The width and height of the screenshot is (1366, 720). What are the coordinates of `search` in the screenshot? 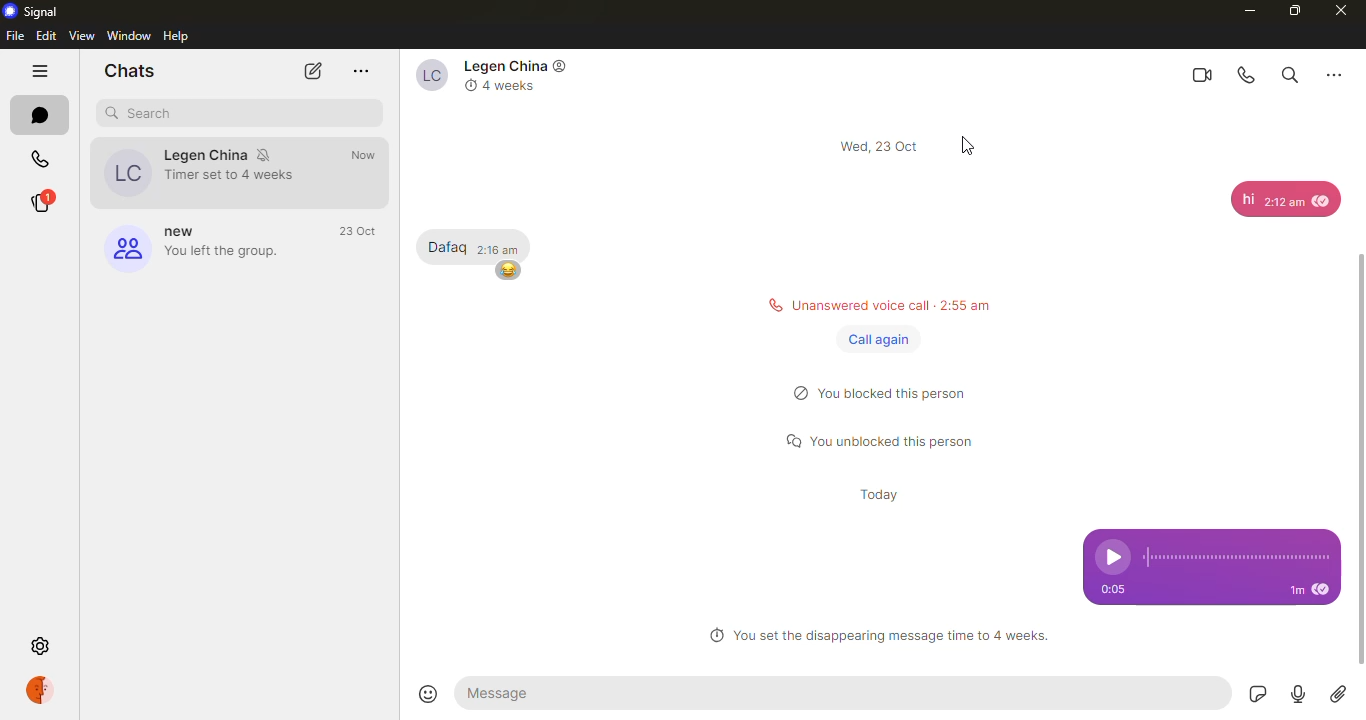 It's located at (142, 114).